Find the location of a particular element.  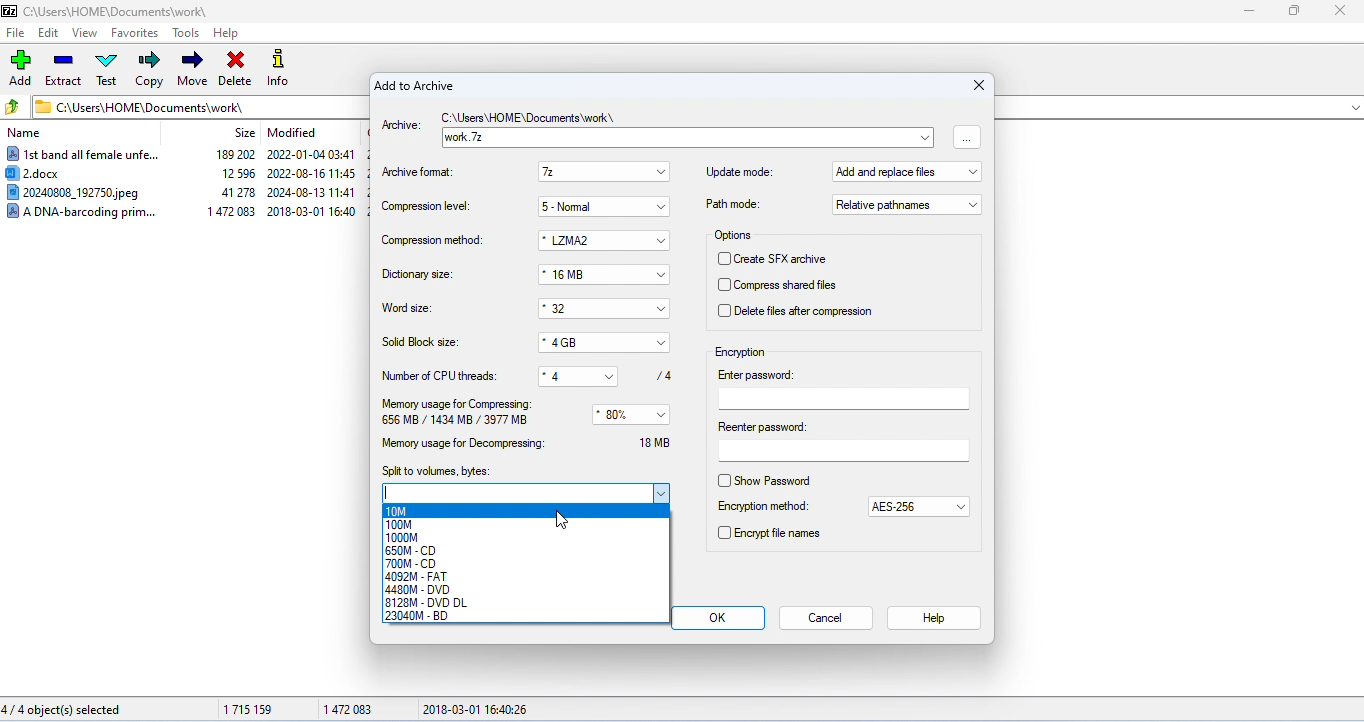

/4 is located at coordinates (660, 375).